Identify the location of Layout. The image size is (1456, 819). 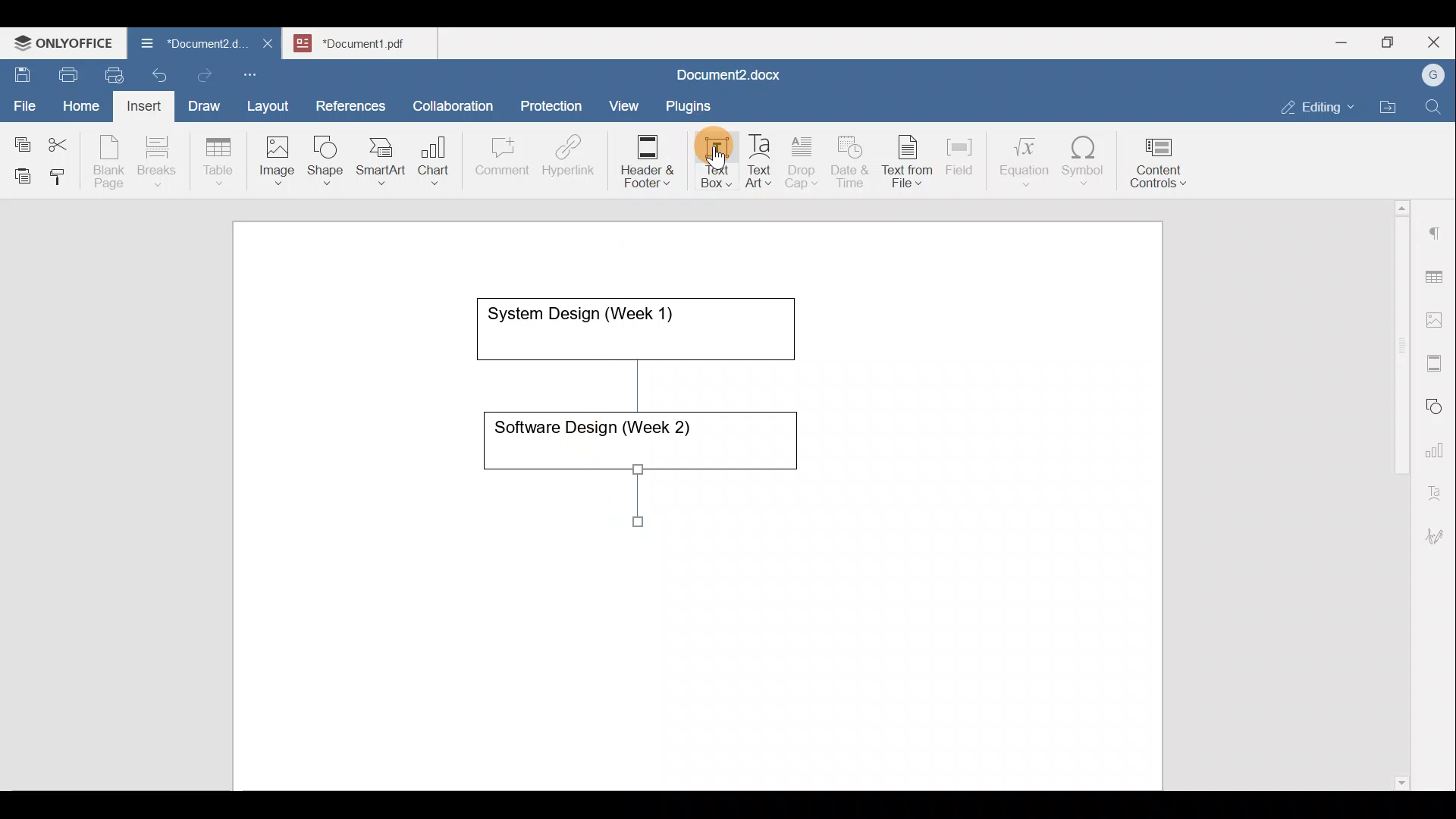
(271, 103).